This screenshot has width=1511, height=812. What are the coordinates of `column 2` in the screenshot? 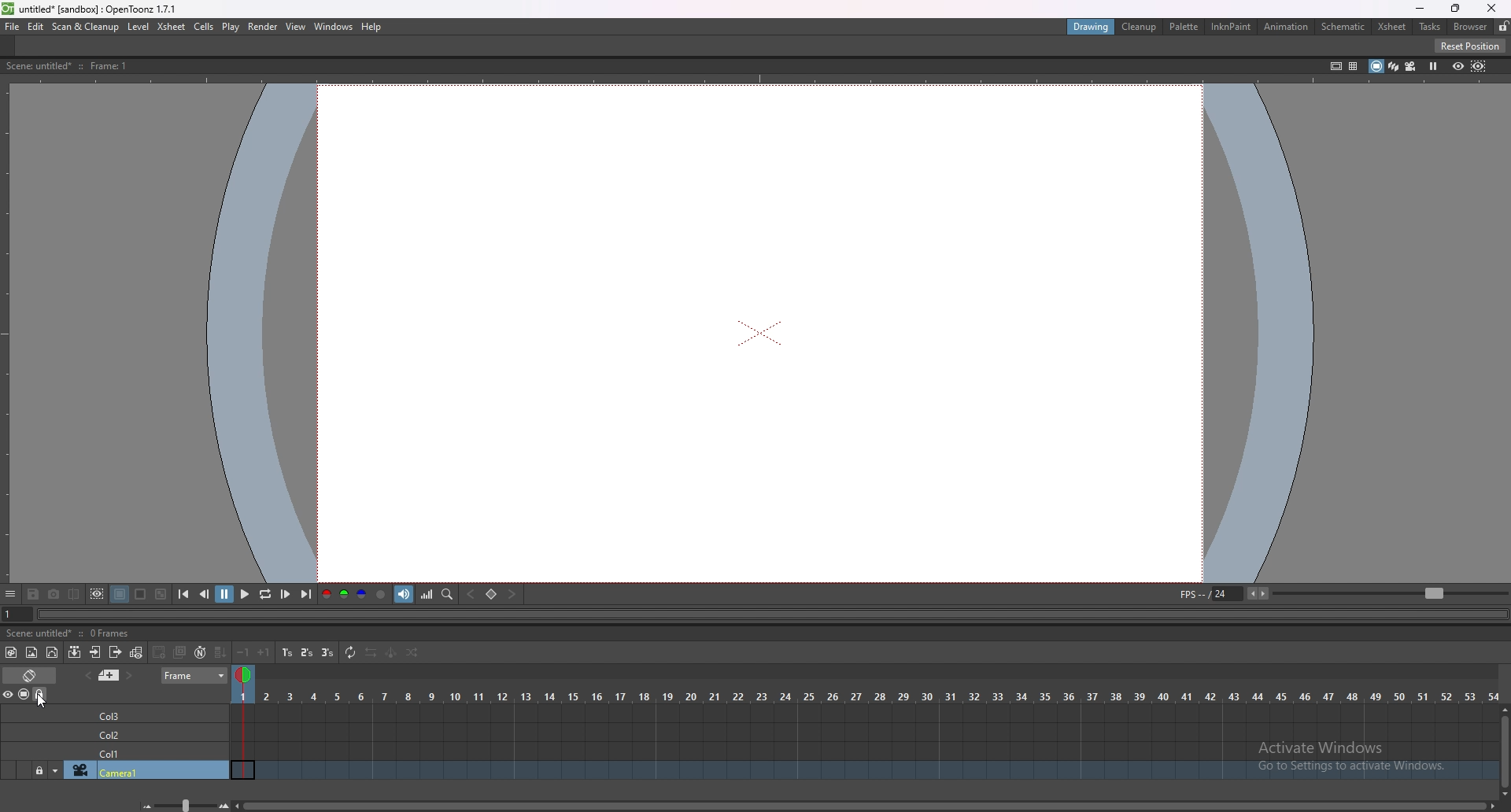 It's located at (146, 733).